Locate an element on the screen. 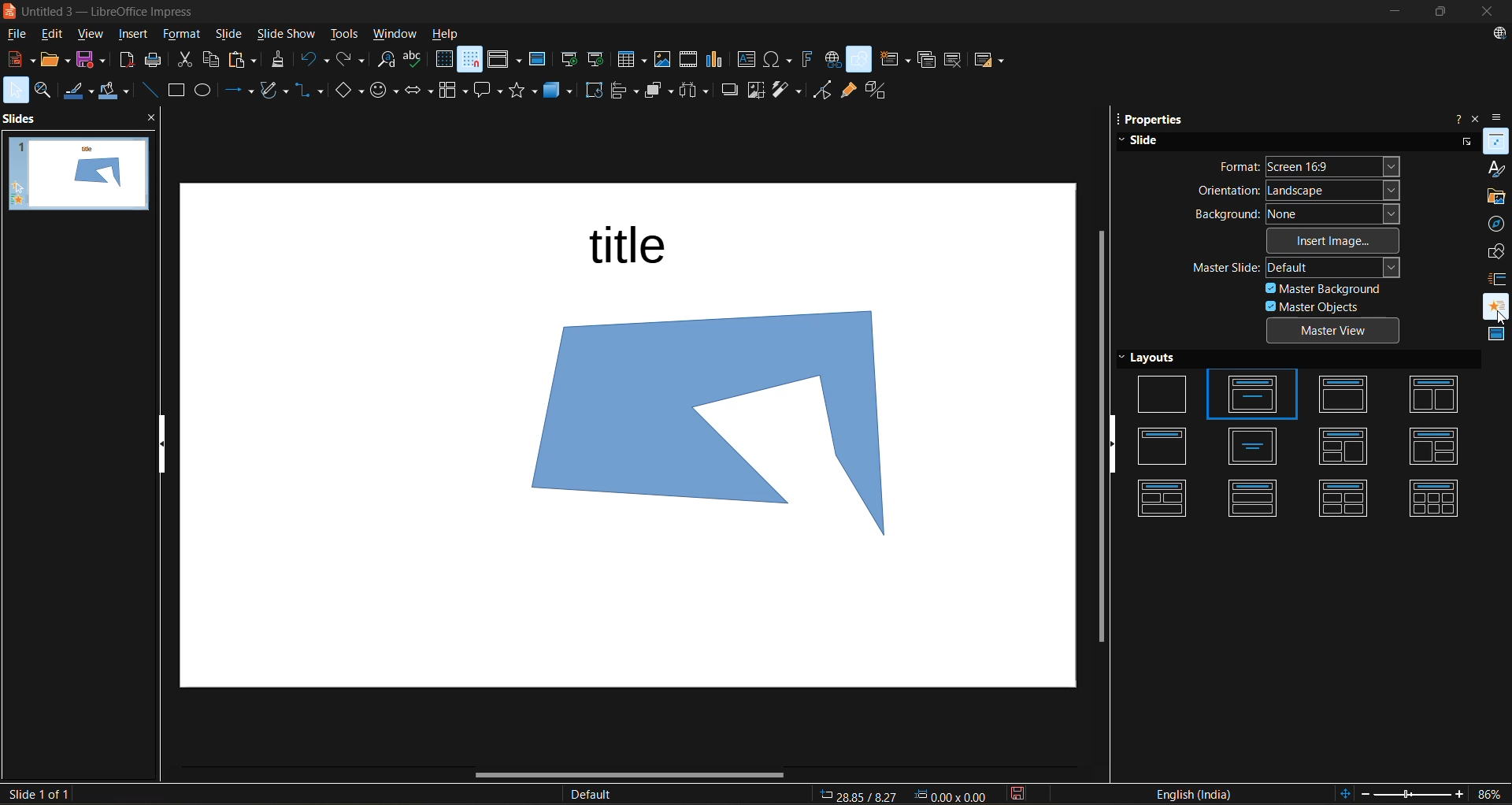 The image size is (1512, 805). vertical scroll bar is located at coordinates (1096, 434).